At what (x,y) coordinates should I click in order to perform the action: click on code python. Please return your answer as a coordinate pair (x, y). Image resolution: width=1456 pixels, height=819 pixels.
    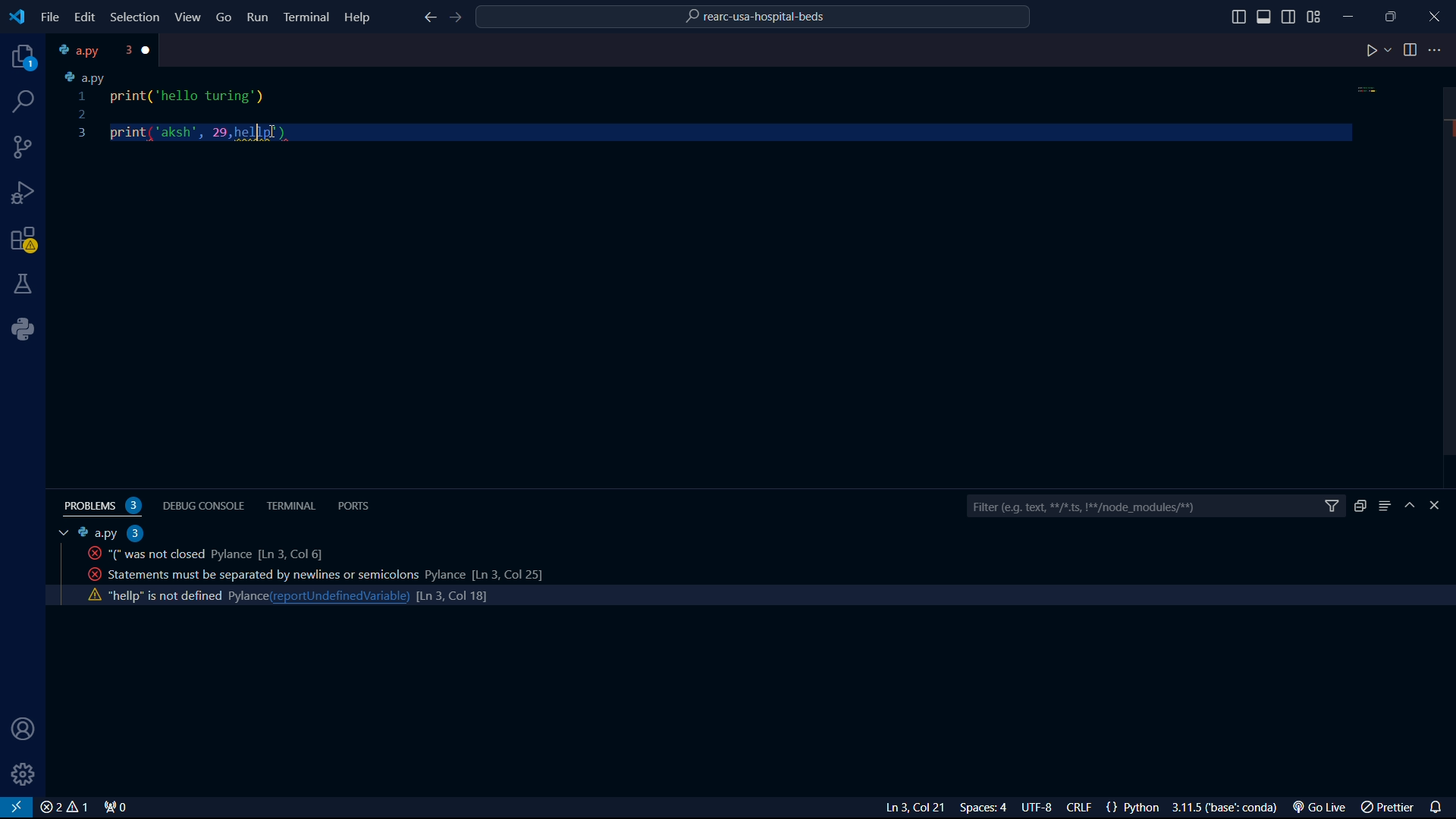
    Looking at the image, I should click on (717, 108).